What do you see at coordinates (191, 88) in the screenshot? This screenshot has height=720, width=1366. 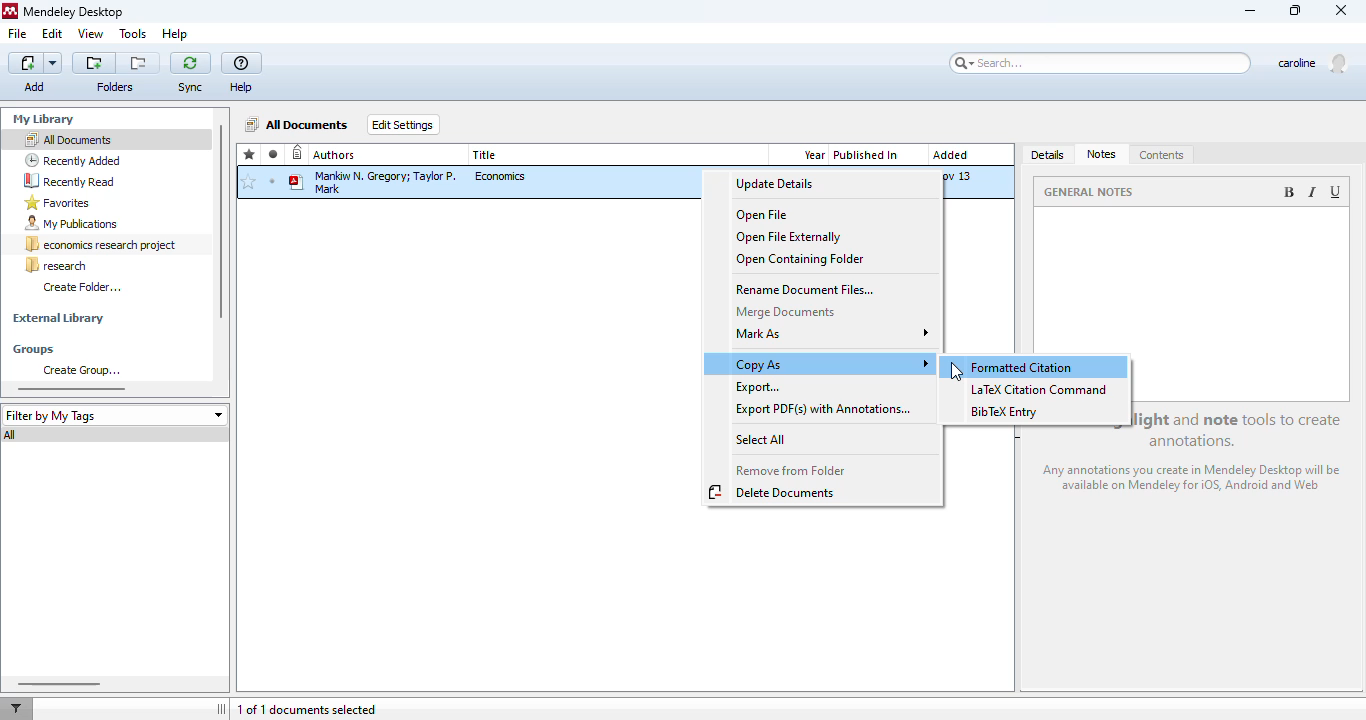 I see `Sync` at bounding box center [191, 88].